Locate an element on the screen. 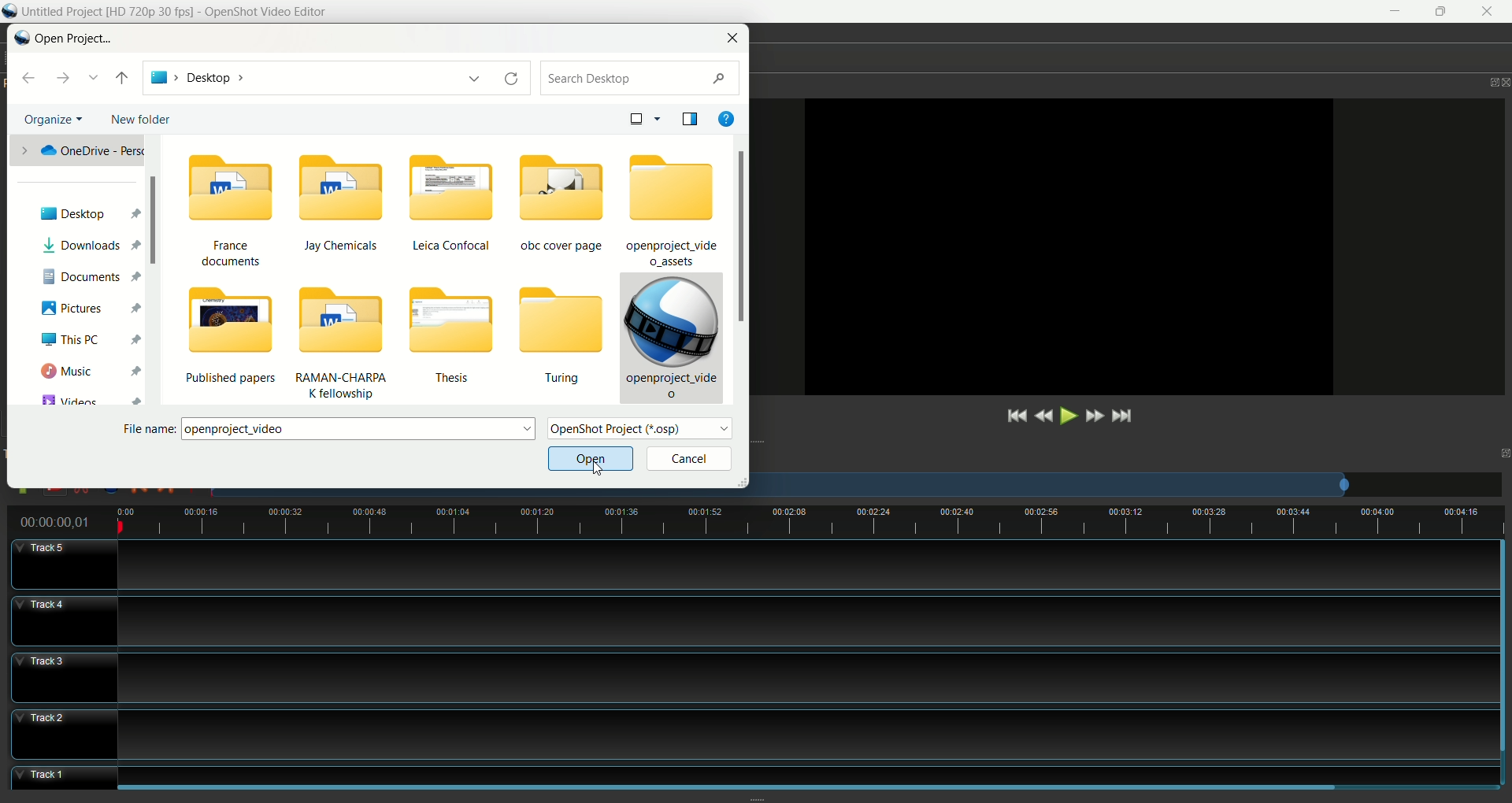 The width and height of the screenshot is (1512, 803). logo is located at coordinates (11, 12).